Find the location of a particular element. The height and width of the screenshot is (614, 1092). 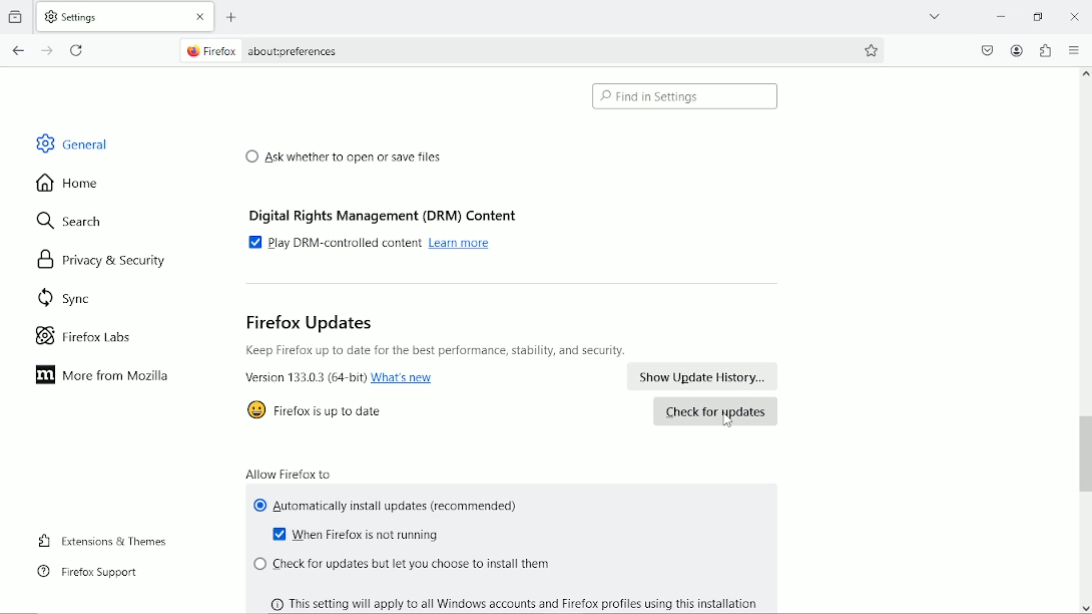

Play DRM-controlled content Learn more is located at coordinates (375, 243).